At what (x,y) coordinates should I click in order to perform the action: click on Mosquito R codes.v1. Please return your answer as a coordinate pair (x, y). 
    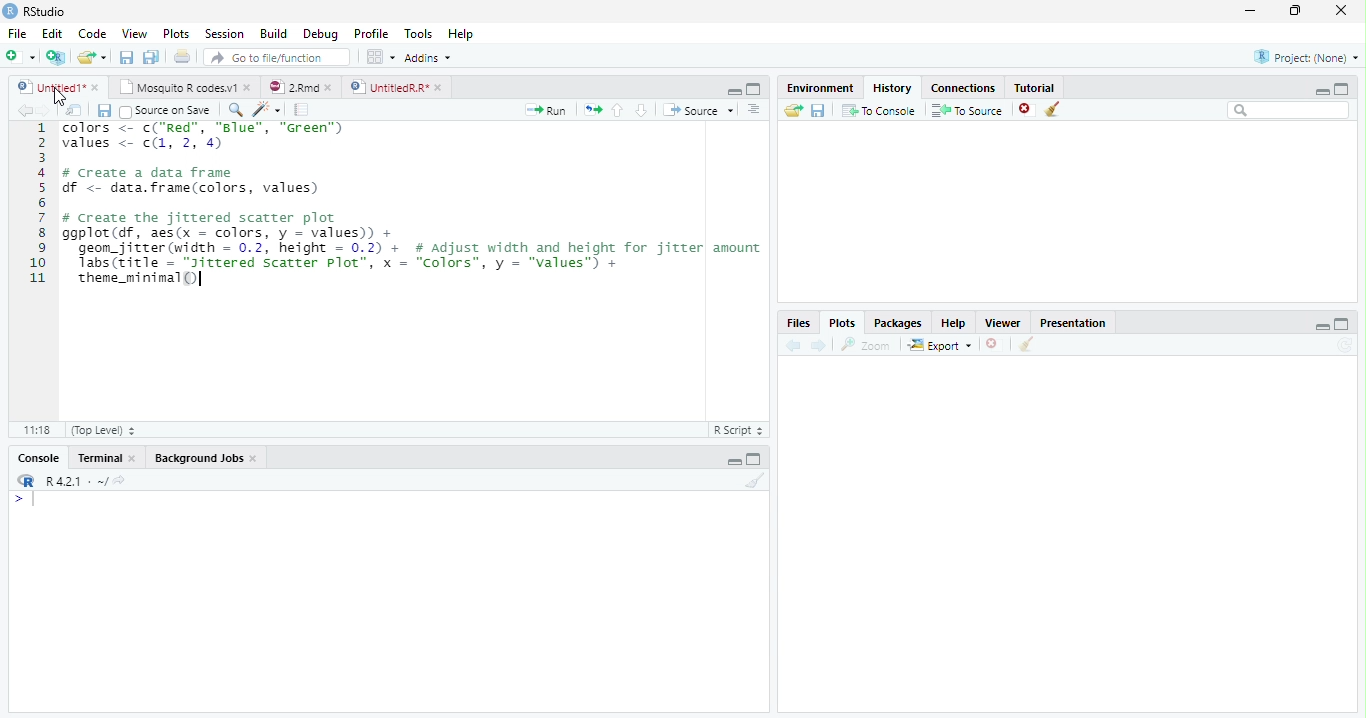
    Looking at the image, I should click on (175, 87).